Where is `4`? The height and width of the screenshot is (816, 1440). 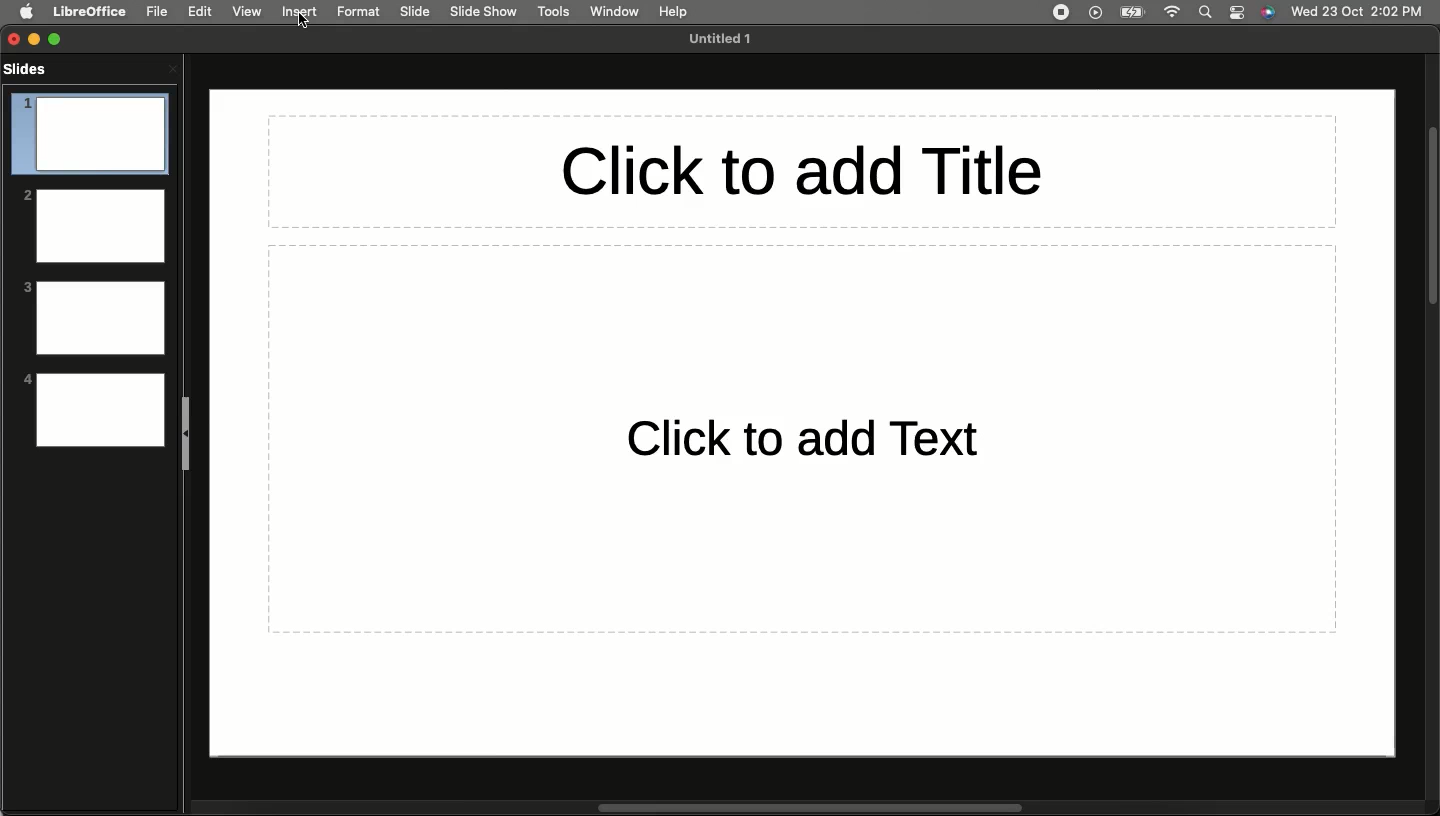 4 is located at coordinates (93, 409).